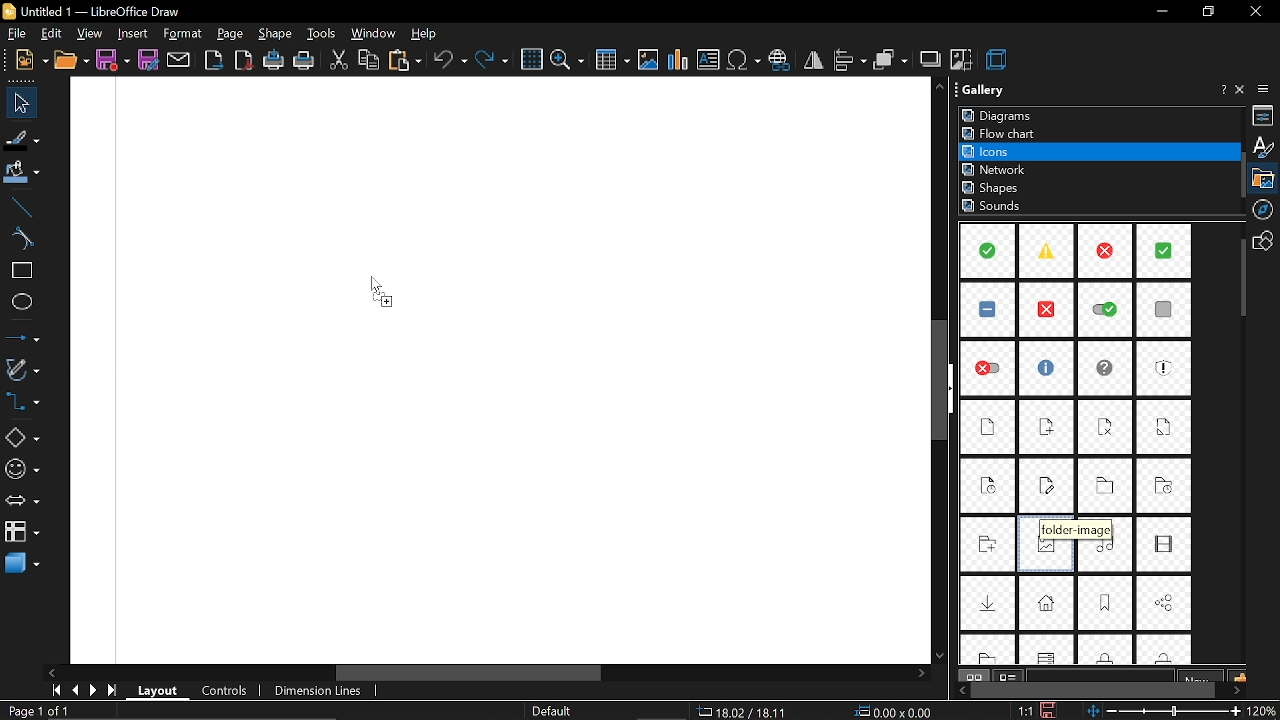  I want to click on properties, so click(1265, 116).